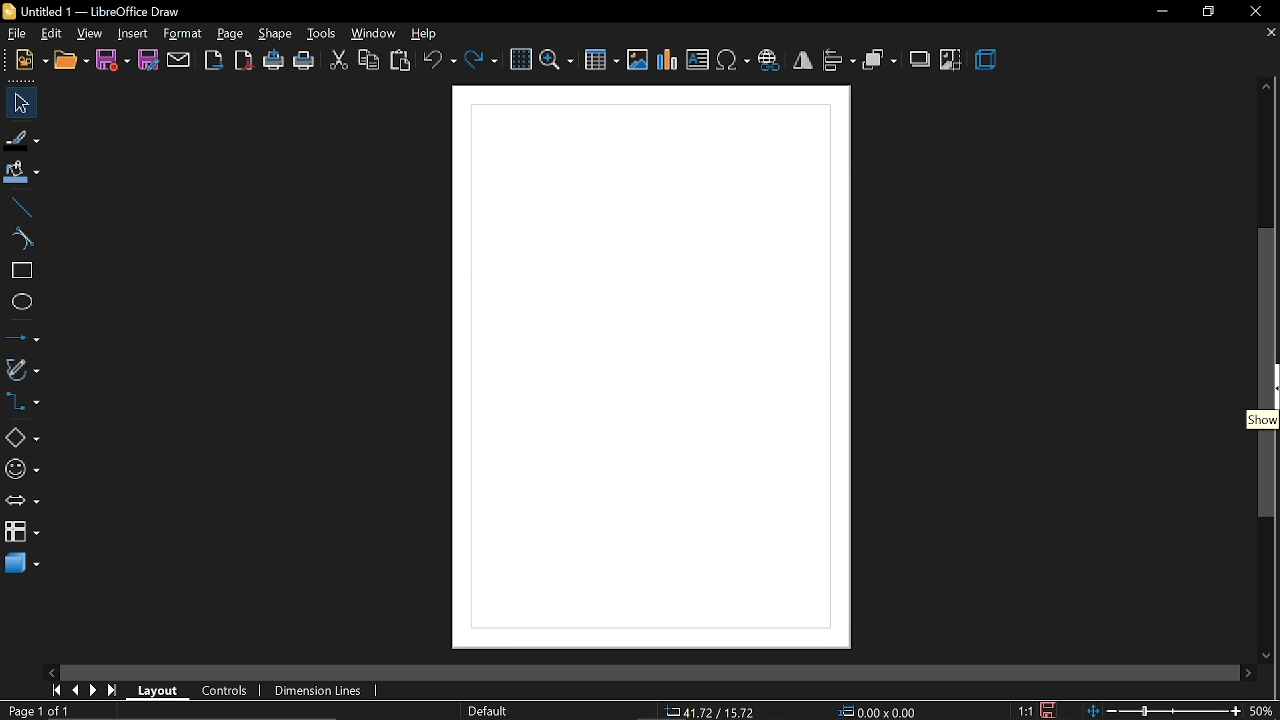 This screenshot has height=720, width=1280. What do you see at coordinates (1264, 85) in the screenshot?
I see `move up` at bounding box center [1264, 85].